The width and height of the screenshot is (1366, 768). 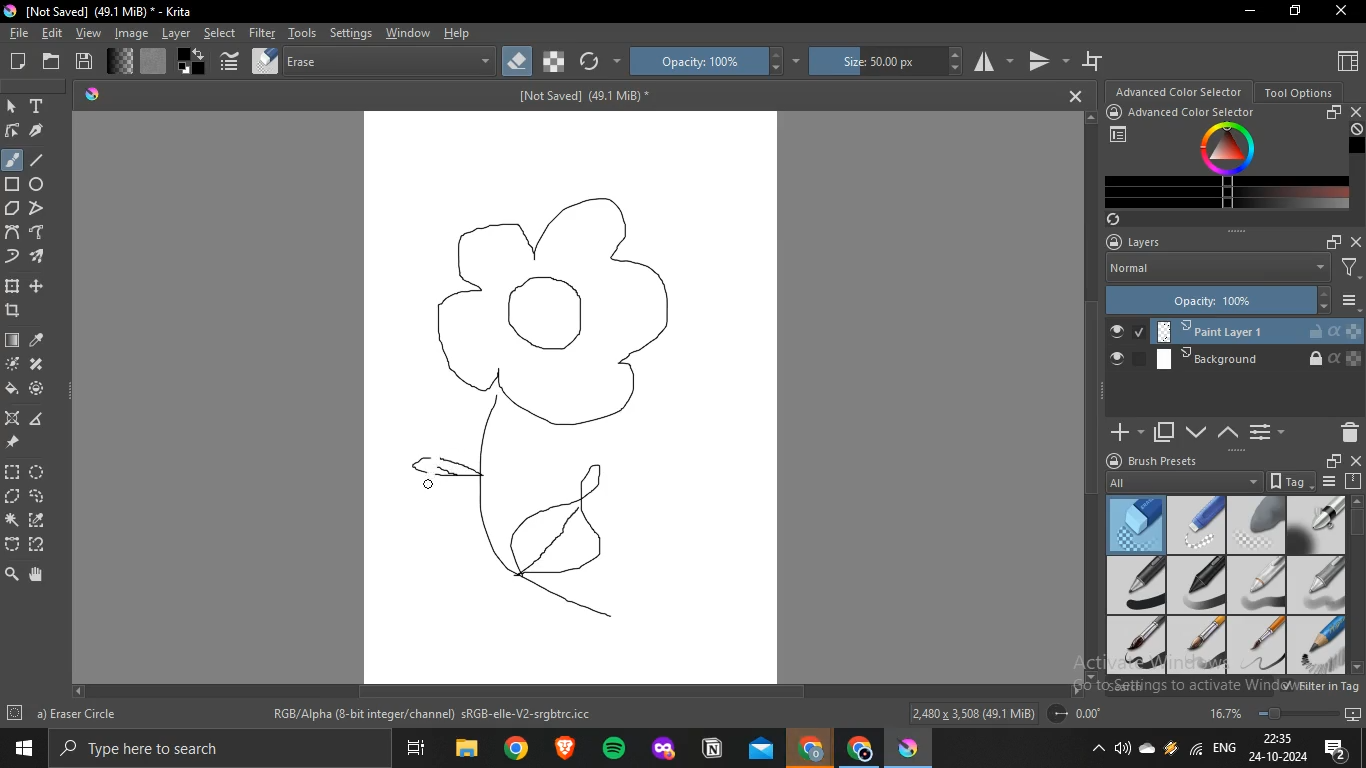 What do you see at coordinates (1080, 713) in the screenshot?
I see `Radius` at bounding box center [1080, 713].